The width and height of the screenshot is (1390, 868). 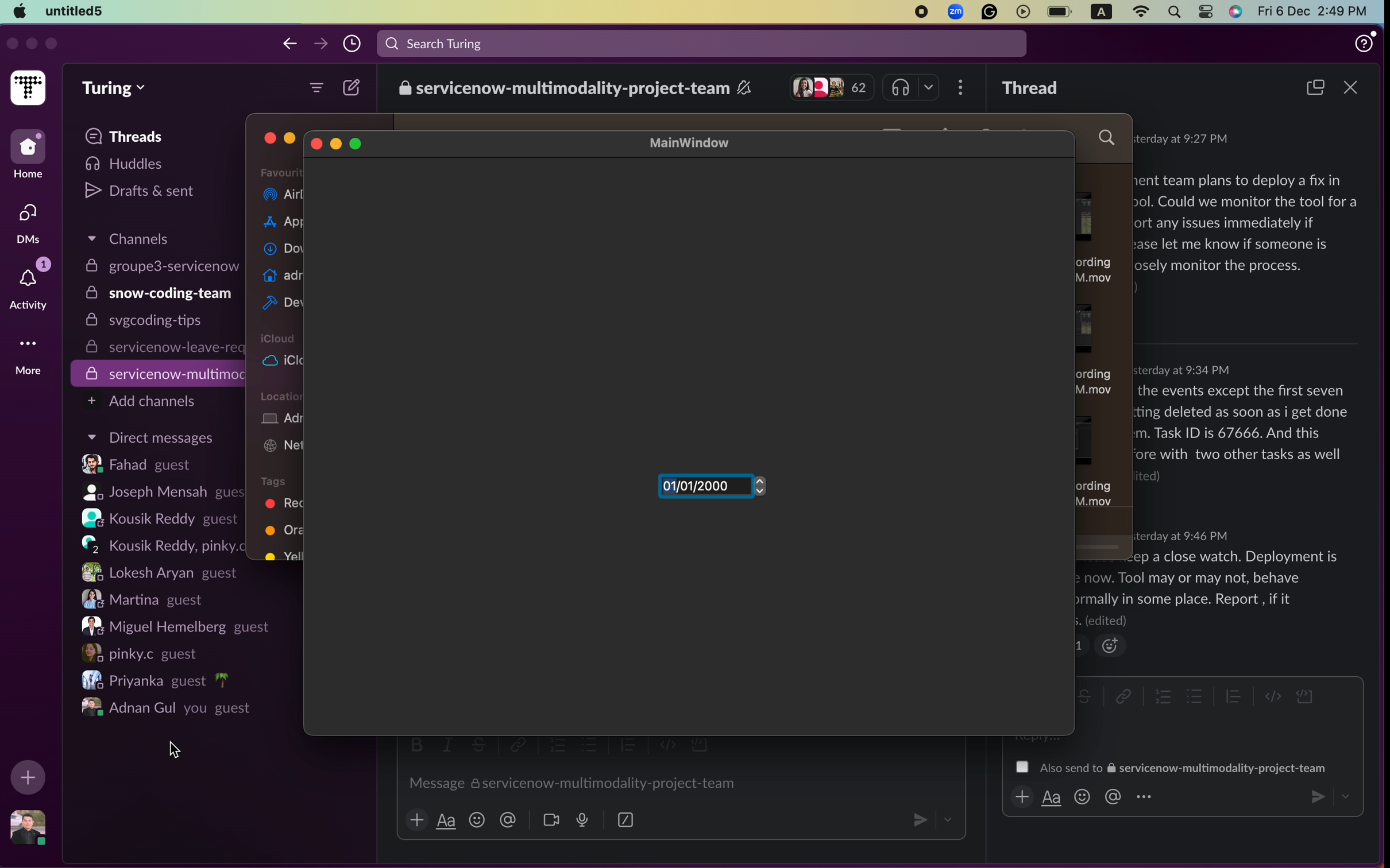 I want to click on text message, so click(x=1250, y=232).